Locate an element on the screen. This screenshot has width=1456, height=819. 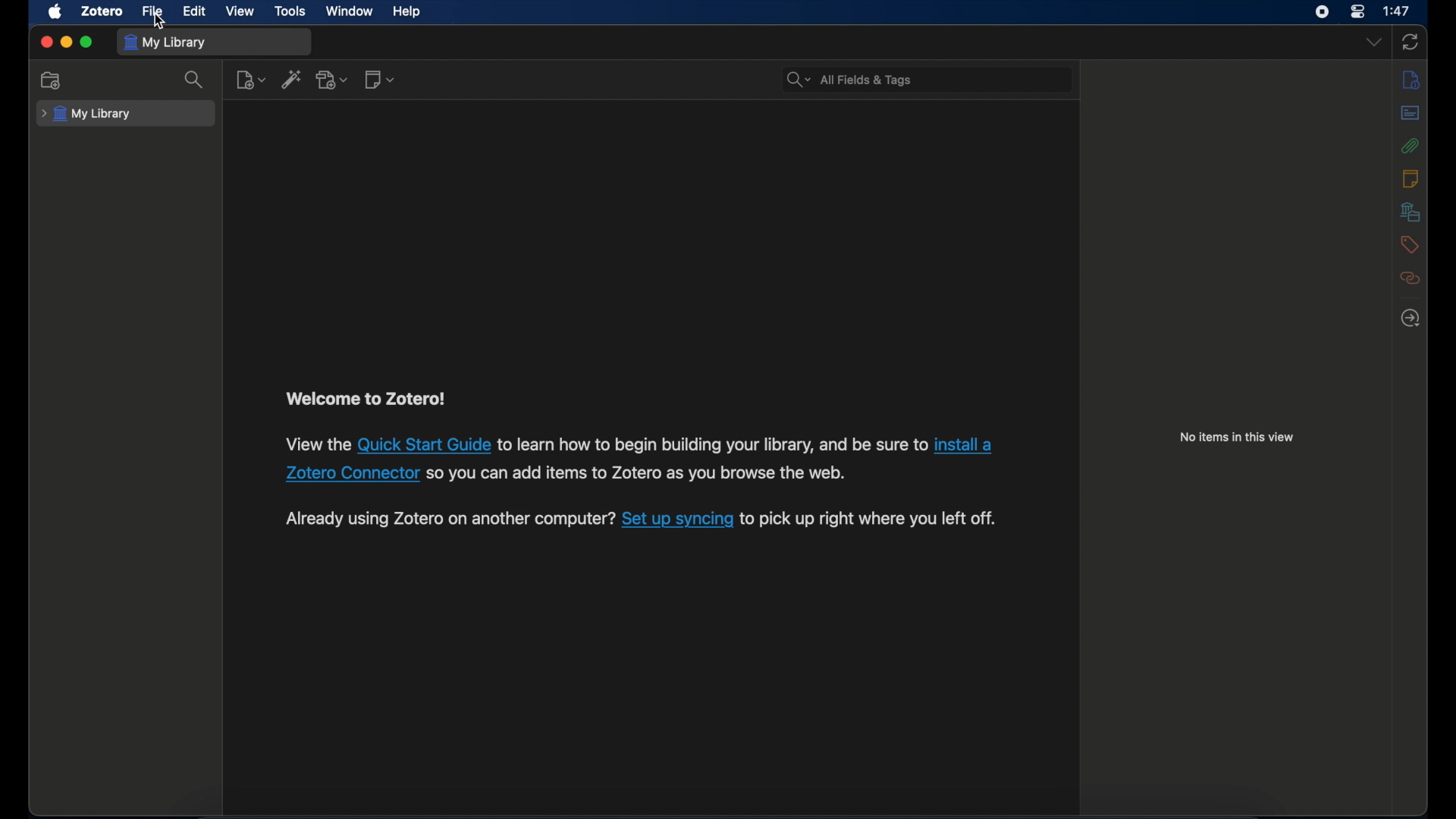
new collection is located at coordinates (52, 80).